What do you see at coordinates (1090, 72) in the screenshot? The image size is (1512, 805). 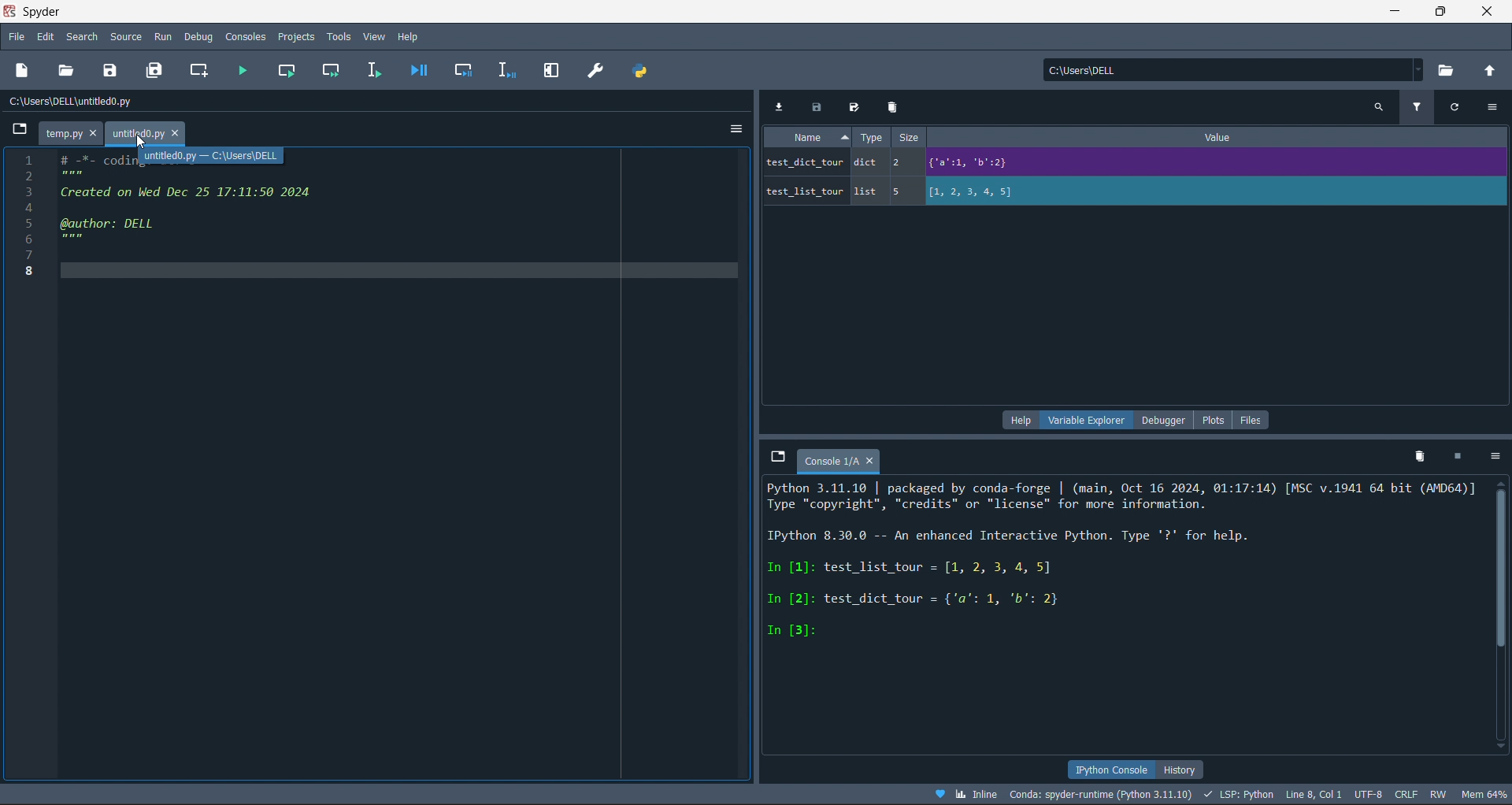 I see `C:\Users\DELL` at bounding box center [1090, 72].